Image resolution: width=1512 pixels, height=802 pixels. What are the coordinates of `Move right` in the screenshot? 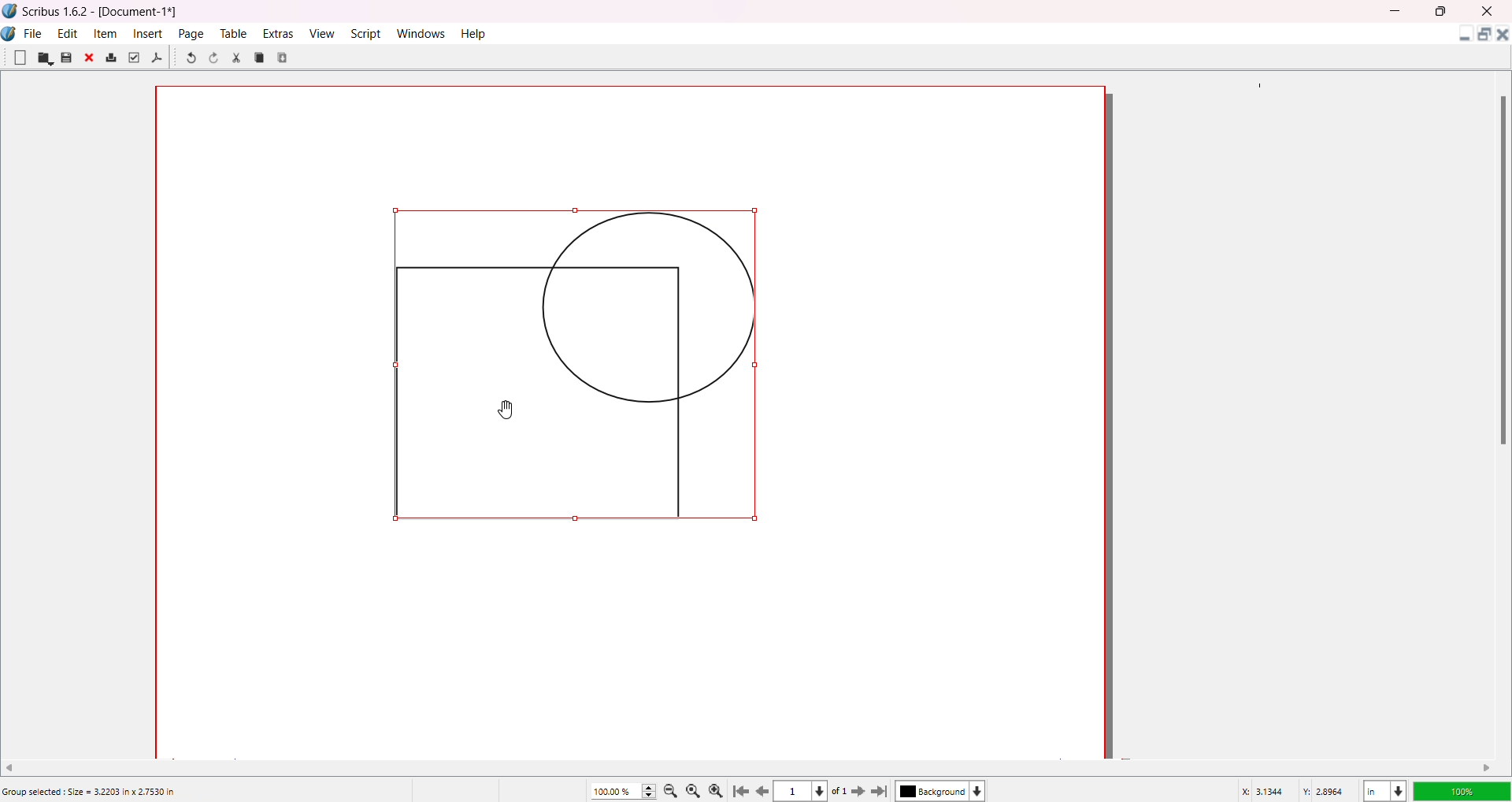 It's located at (1488, 767).